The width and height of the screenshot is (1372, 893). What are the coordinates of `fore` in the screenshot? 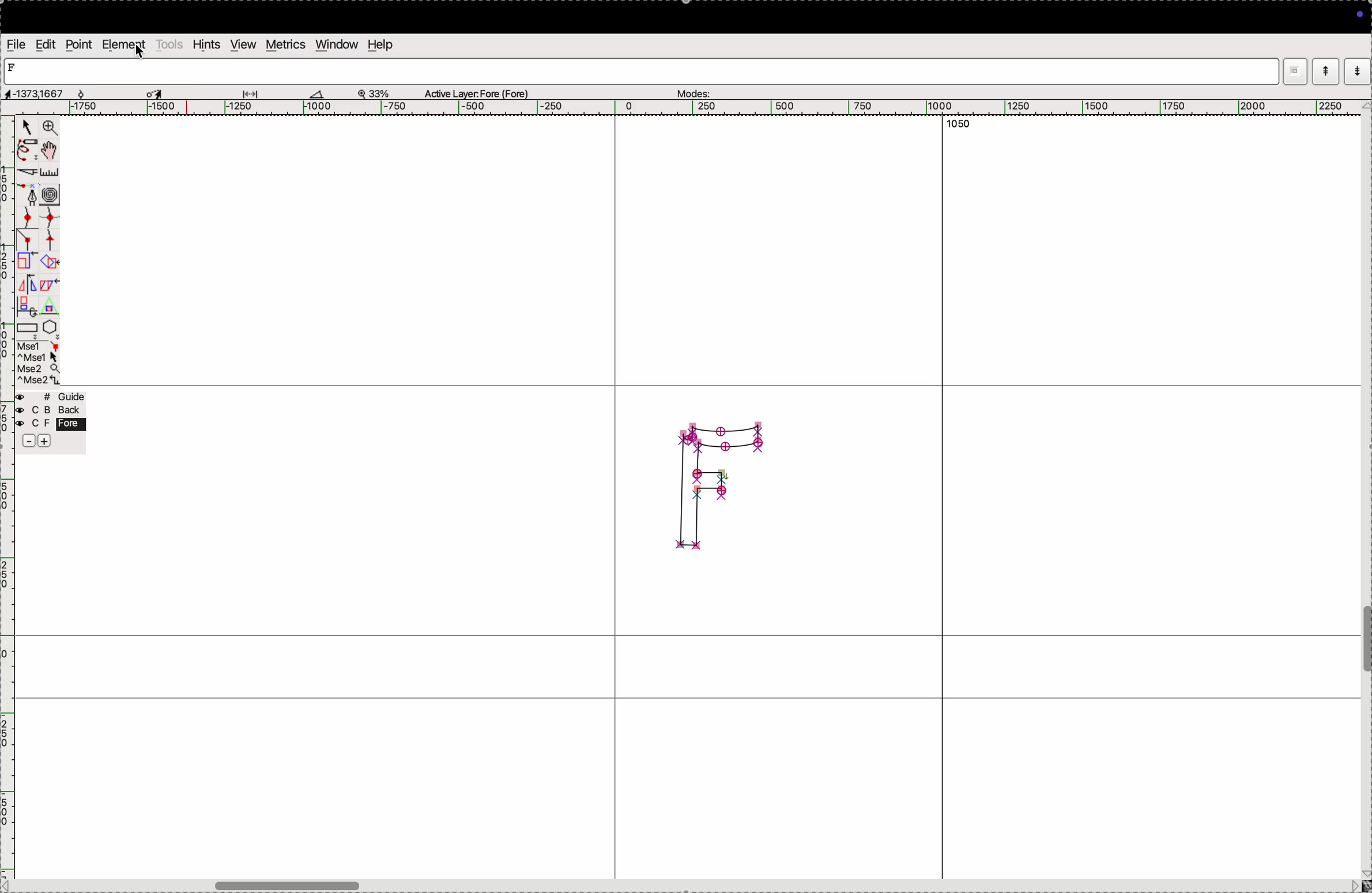 It's located at (52, 425).